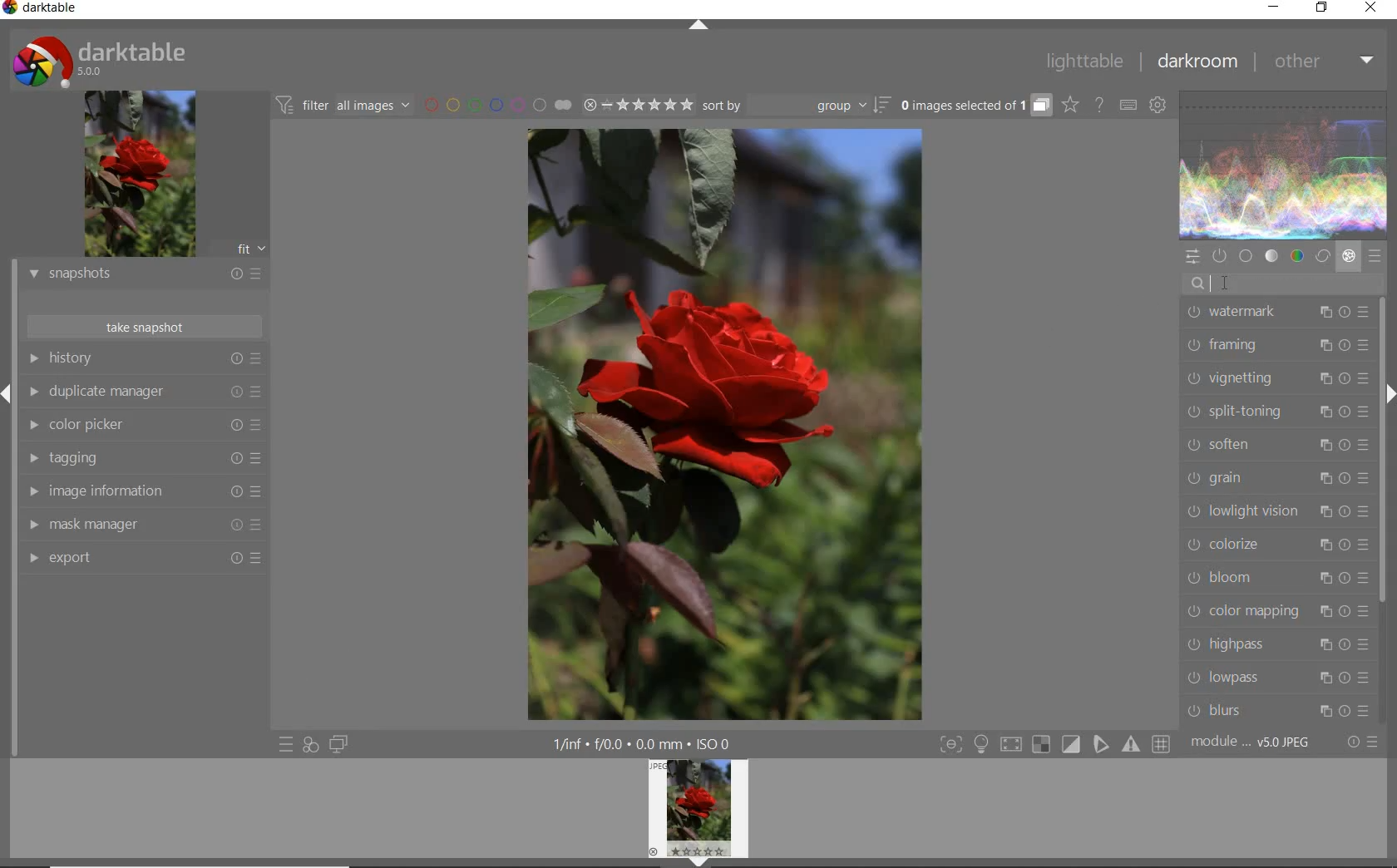 This screenshot has width=1397, height=868. I want to click on reset or presets and preferences, so click(1363, 742).